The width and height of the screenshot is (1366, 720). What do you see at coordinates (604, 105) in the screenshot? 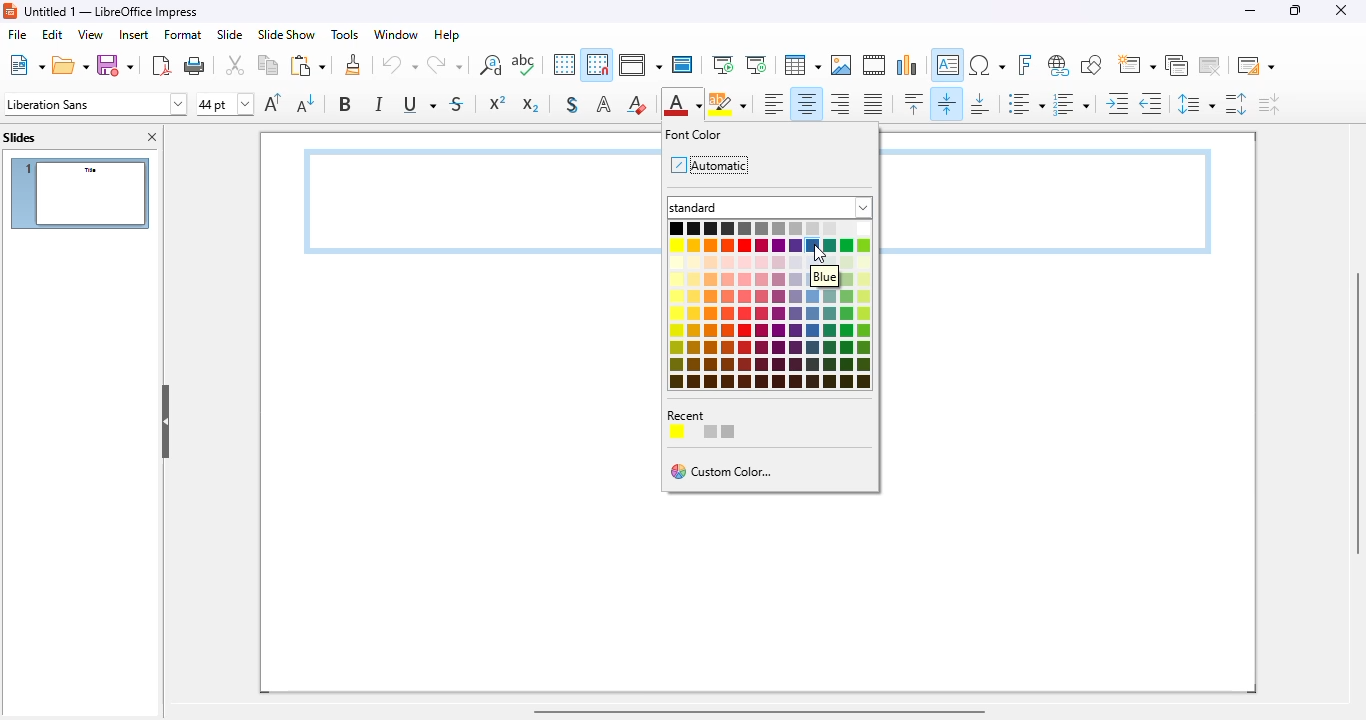
I see `apply outline attribute to font` at bounding box center [604, 105].